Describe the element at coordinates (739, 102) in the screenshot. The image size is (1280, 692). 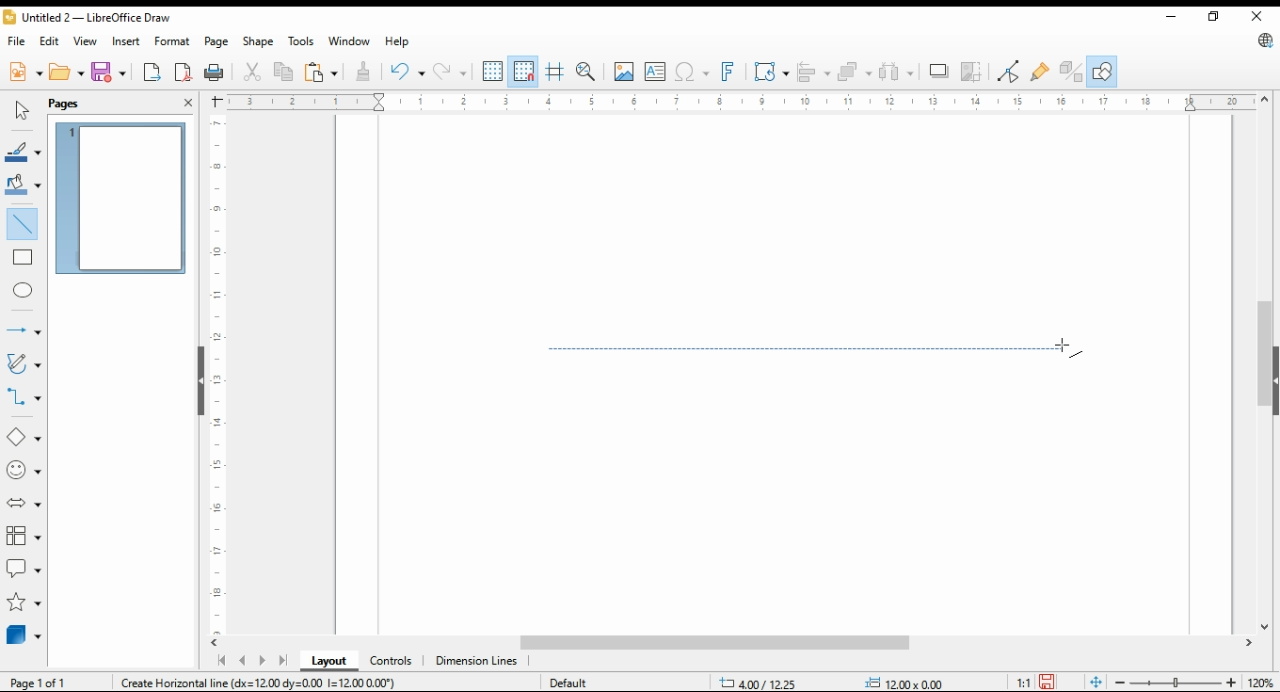
I see `horizontal scale` at that location.